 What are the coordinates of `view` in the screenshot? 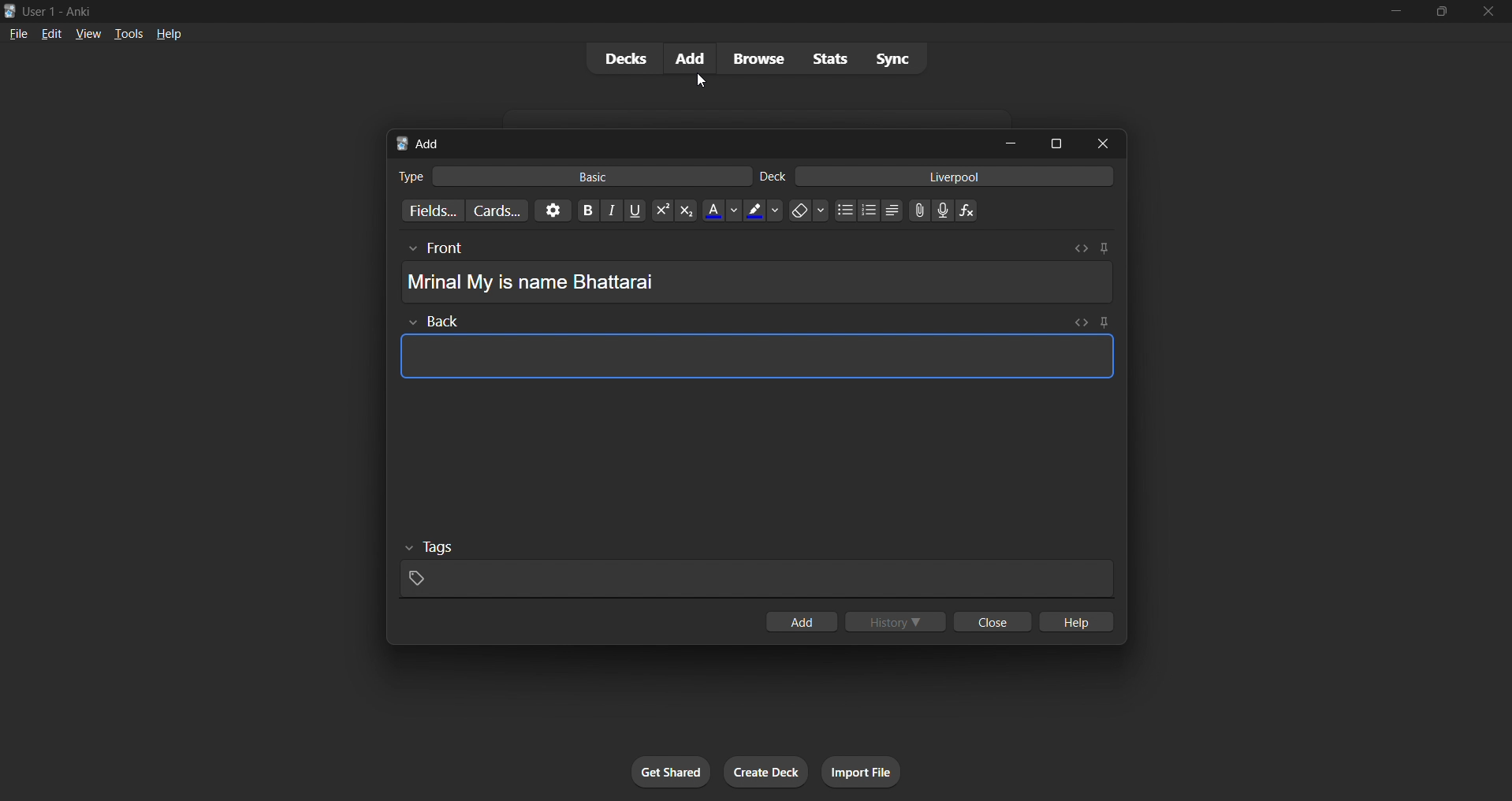 It's located at (91, 32).